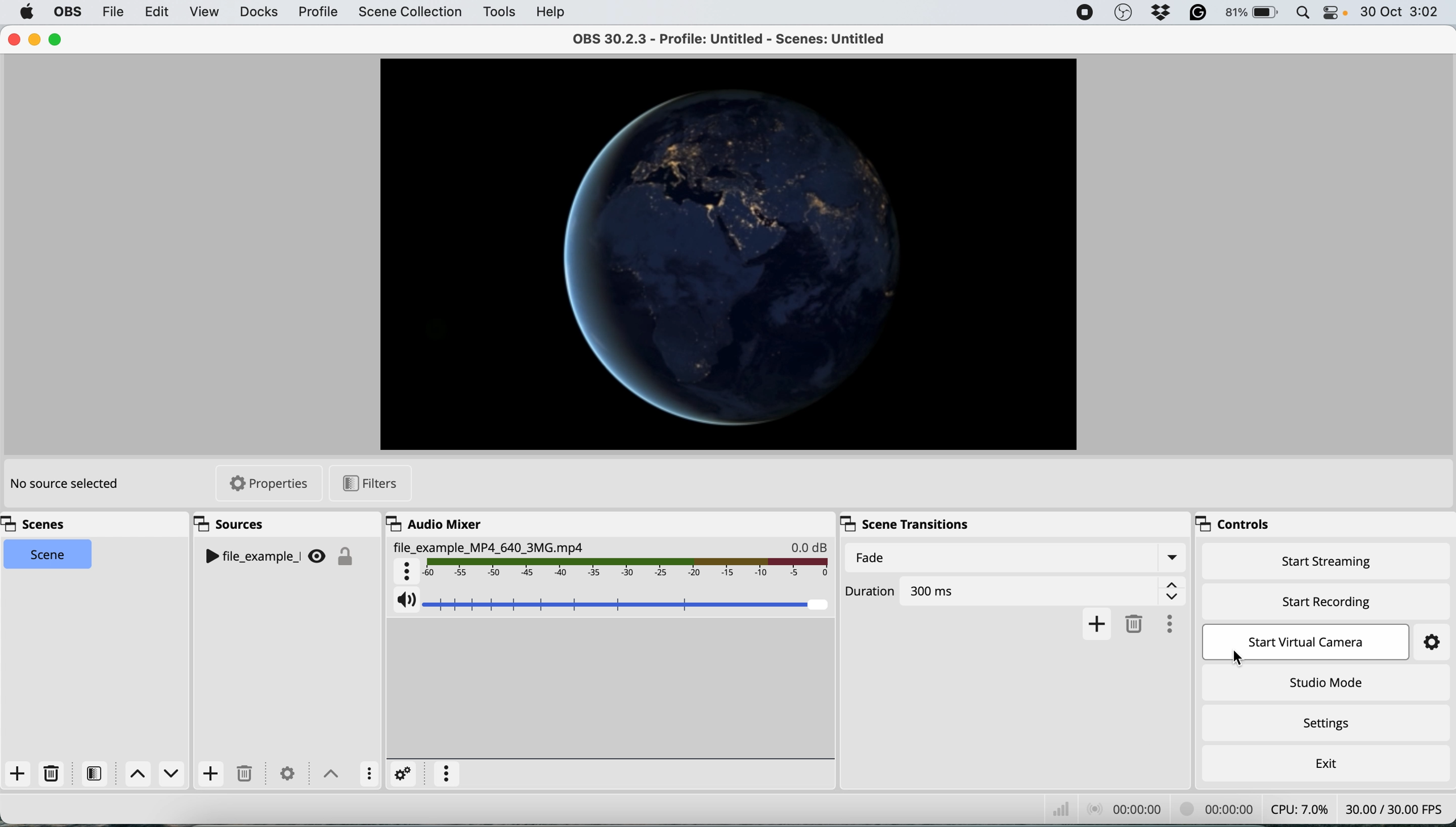 This screenshot has height=827, width=1456. I want to click on spotlight search, so click(1300, 12).